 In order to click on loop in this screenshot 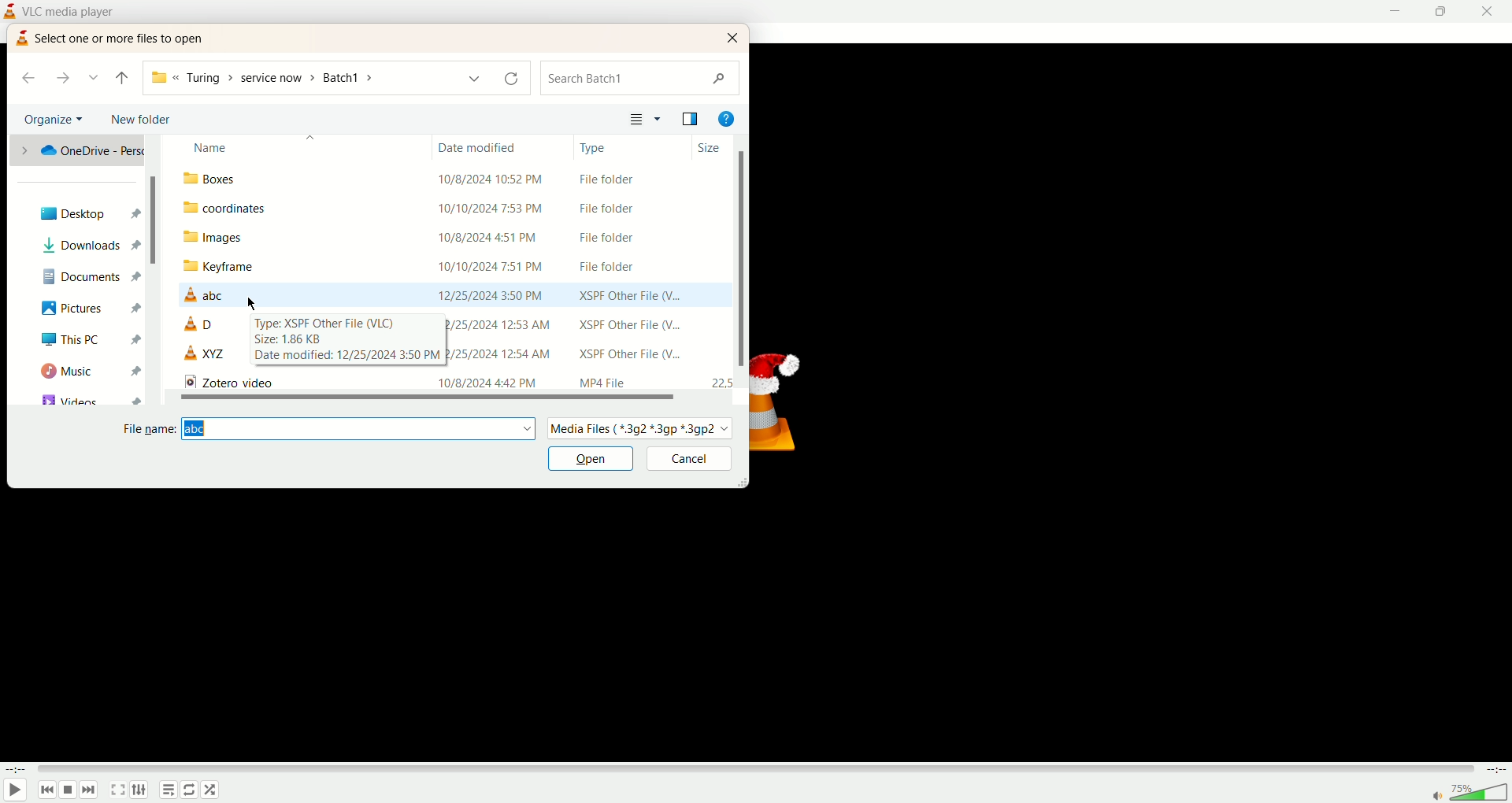, I will do `click(210, 790)`.